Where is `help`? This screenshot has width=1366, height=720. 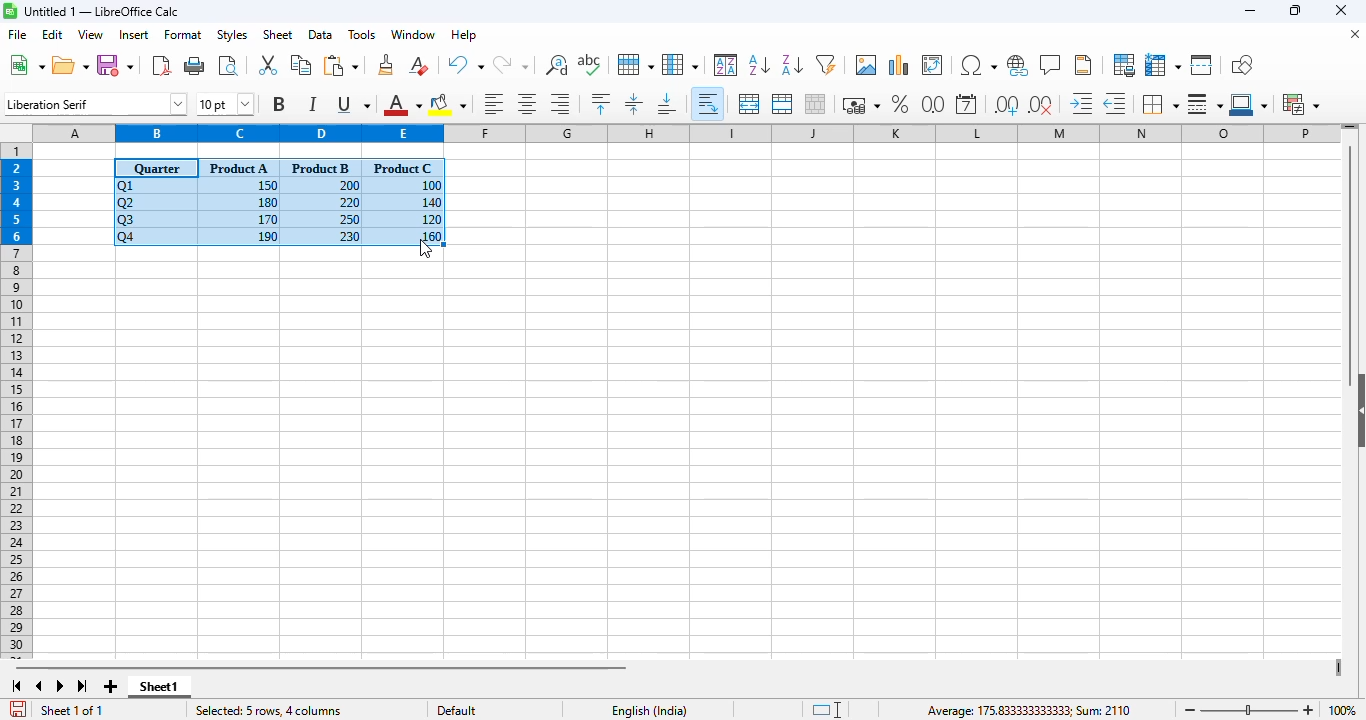
help is located at coordinates (464, 35).